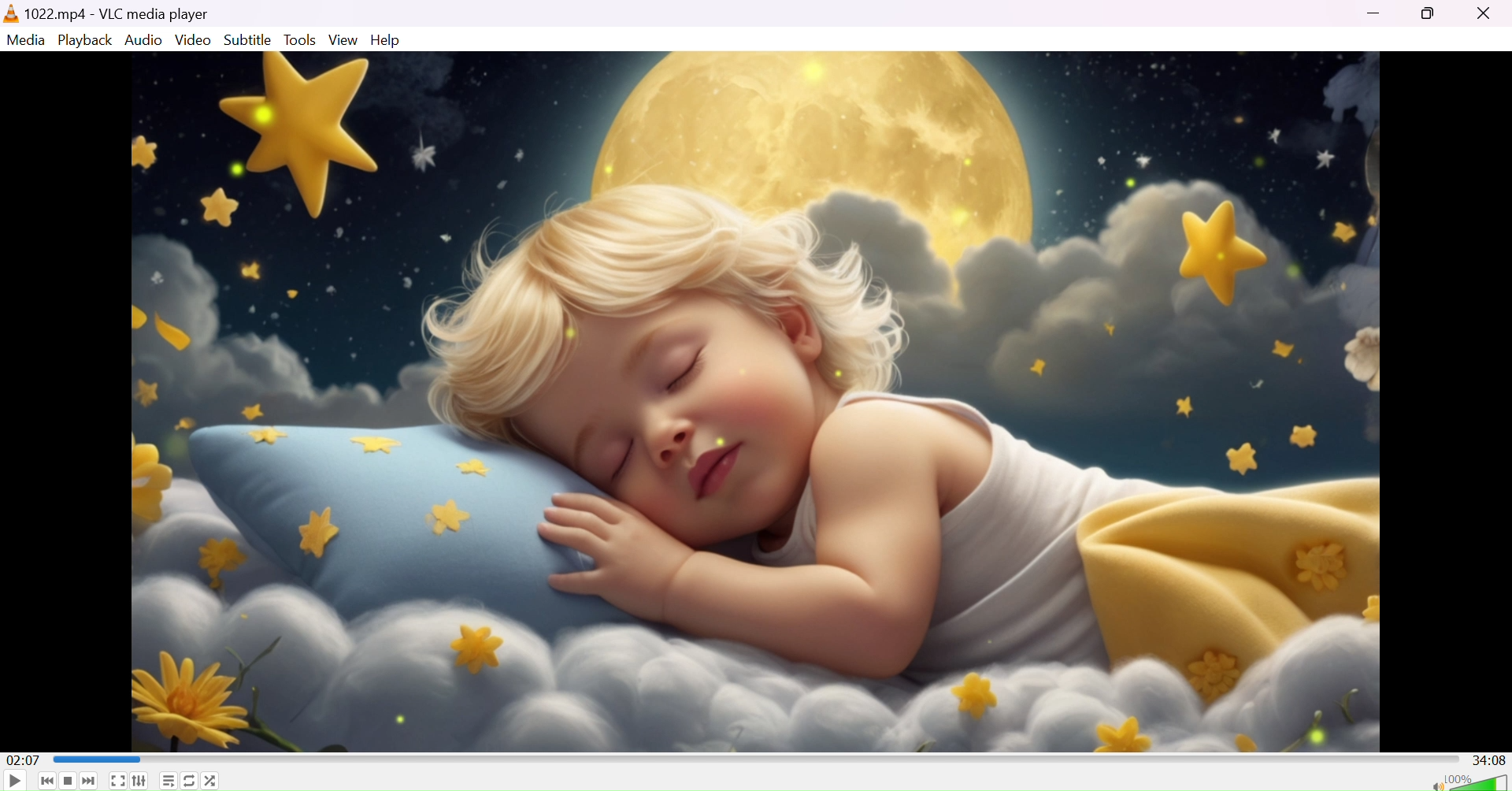  I want to click on video, so click(756, 401).